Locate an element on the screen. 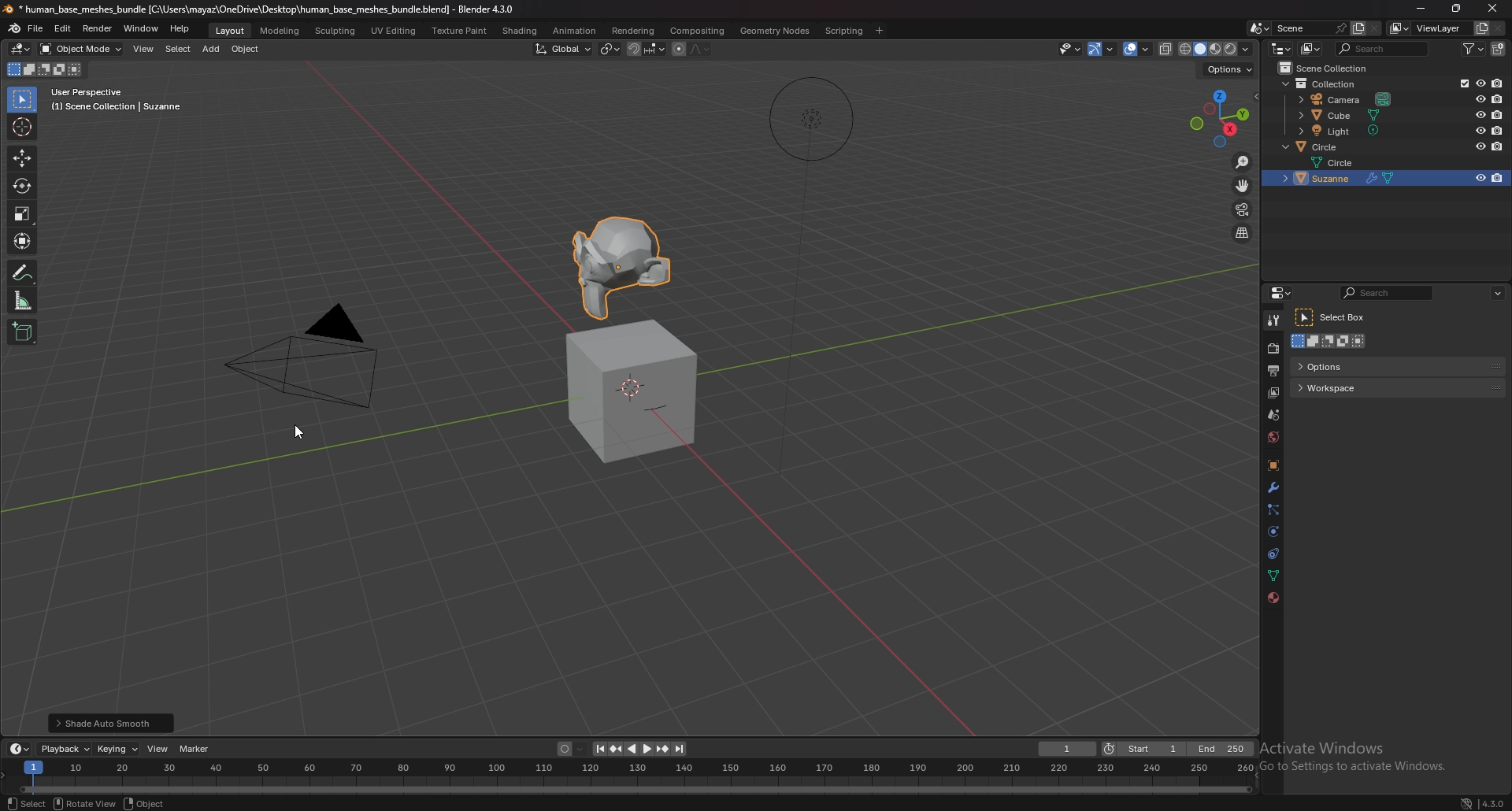  world is located at coordinates (1273, 438).